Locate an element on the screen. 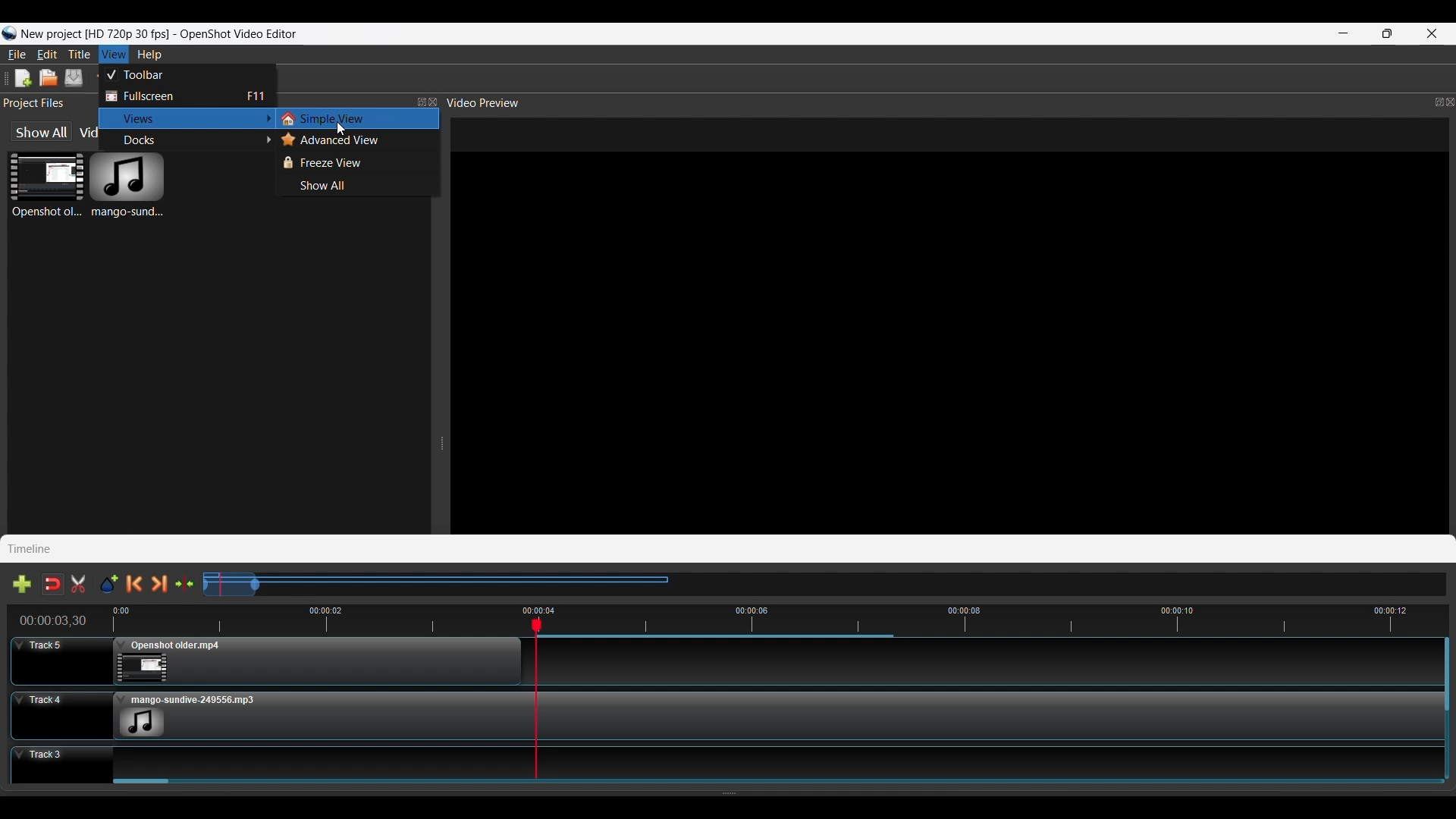 The width and height of the screenshot is (1456, 819). Track 5 is located at coordinates (720, 663).